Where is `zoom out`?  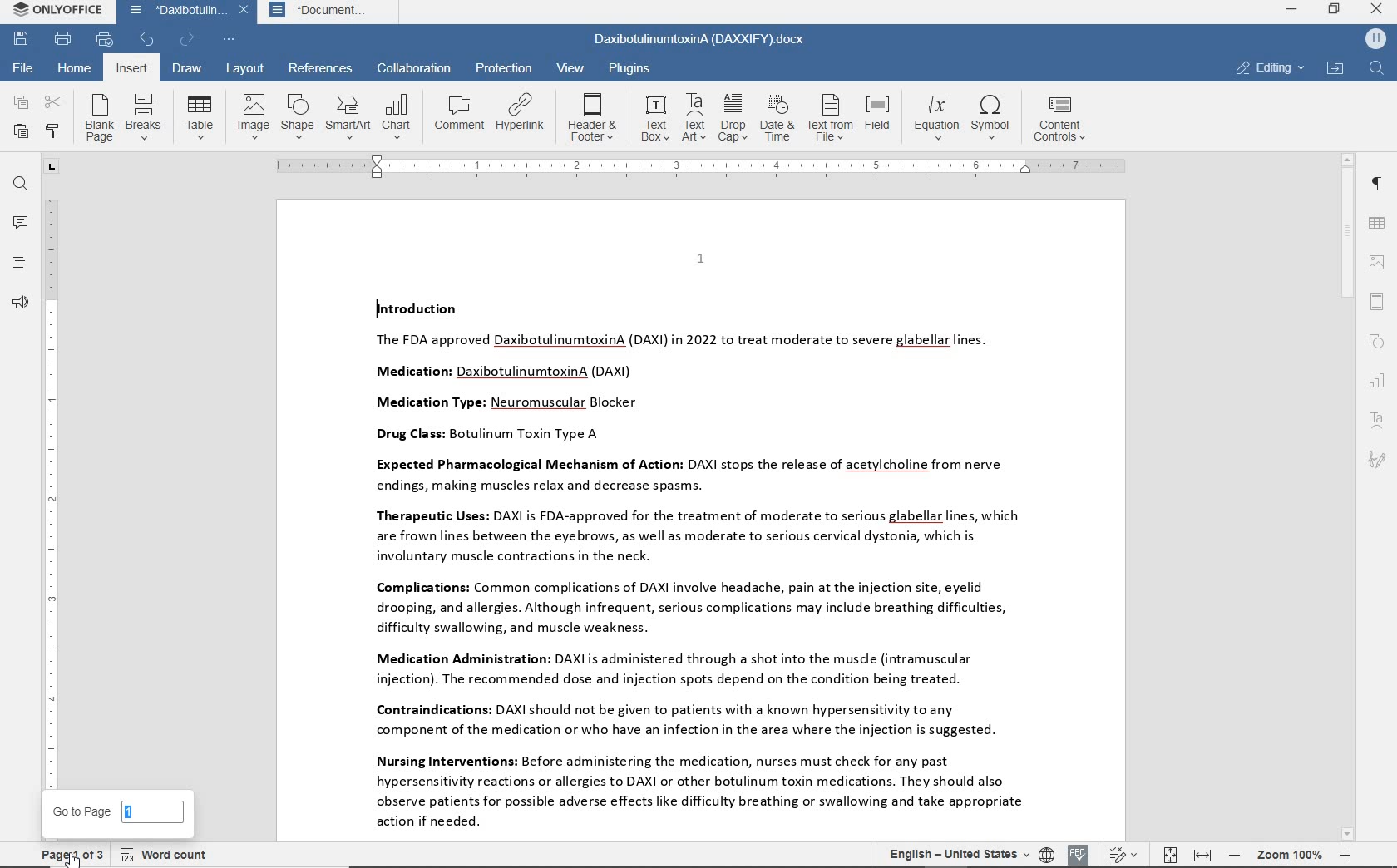
zoom out is located at coordinates (1235, 855).